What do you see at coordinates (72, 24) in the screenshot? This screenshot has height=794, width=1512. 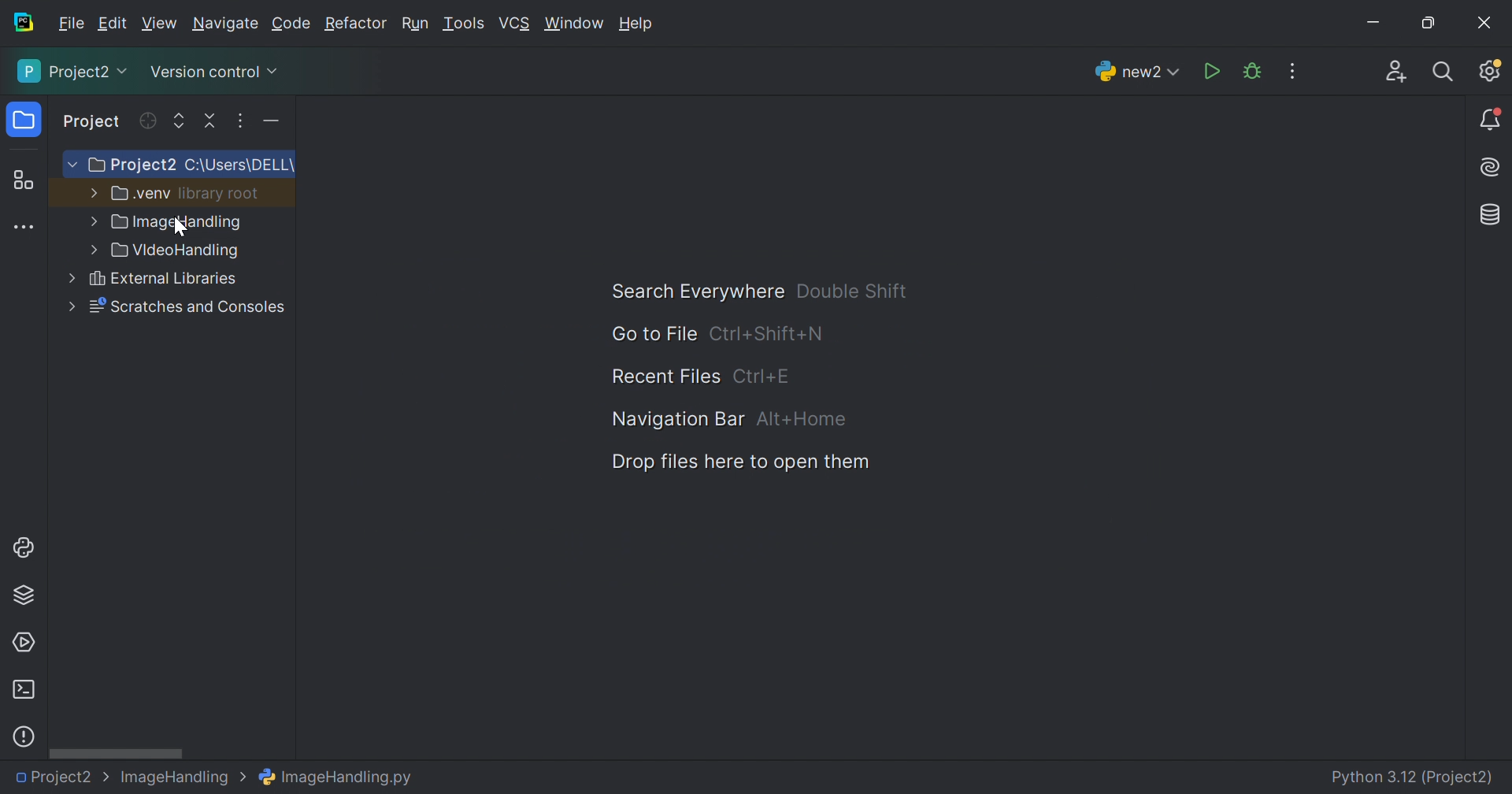 I see `File` at bounding box center [72, 24].